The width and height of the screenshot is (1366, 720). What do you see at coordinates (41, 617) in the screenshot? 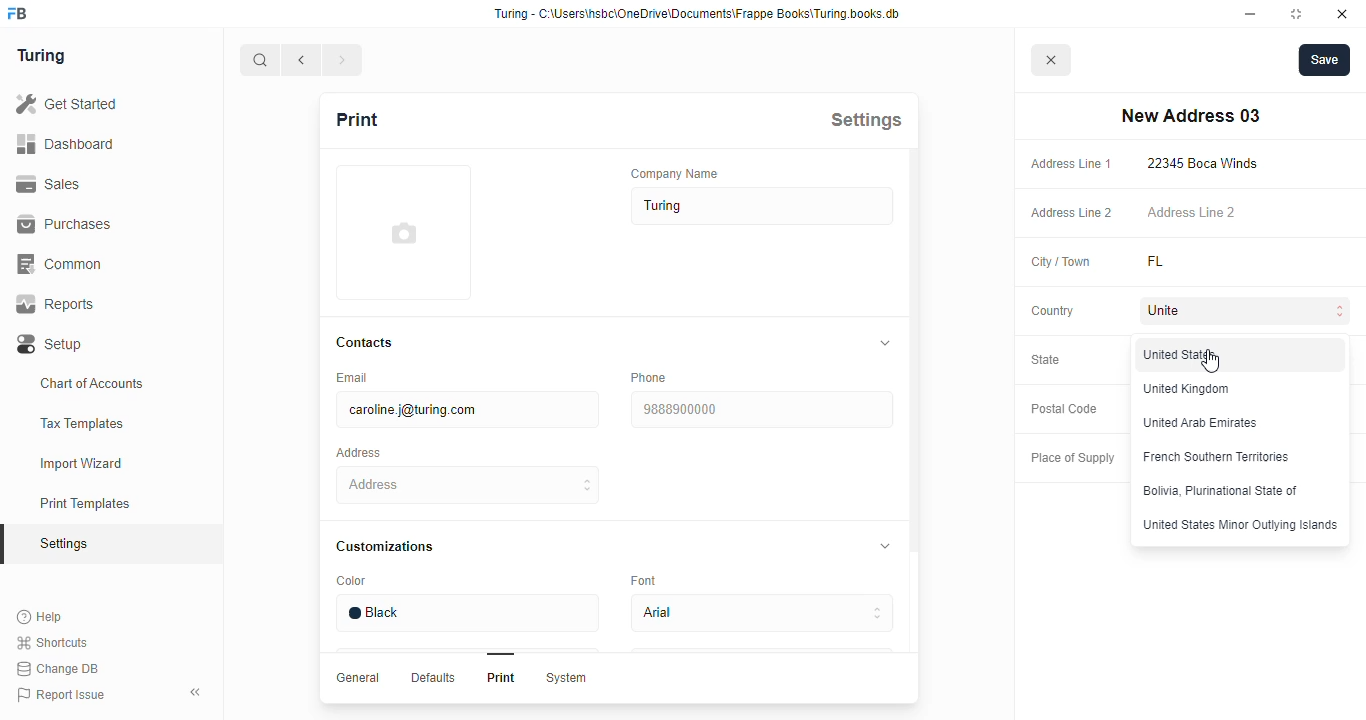
I see `help` at bounding box center [41, 617].